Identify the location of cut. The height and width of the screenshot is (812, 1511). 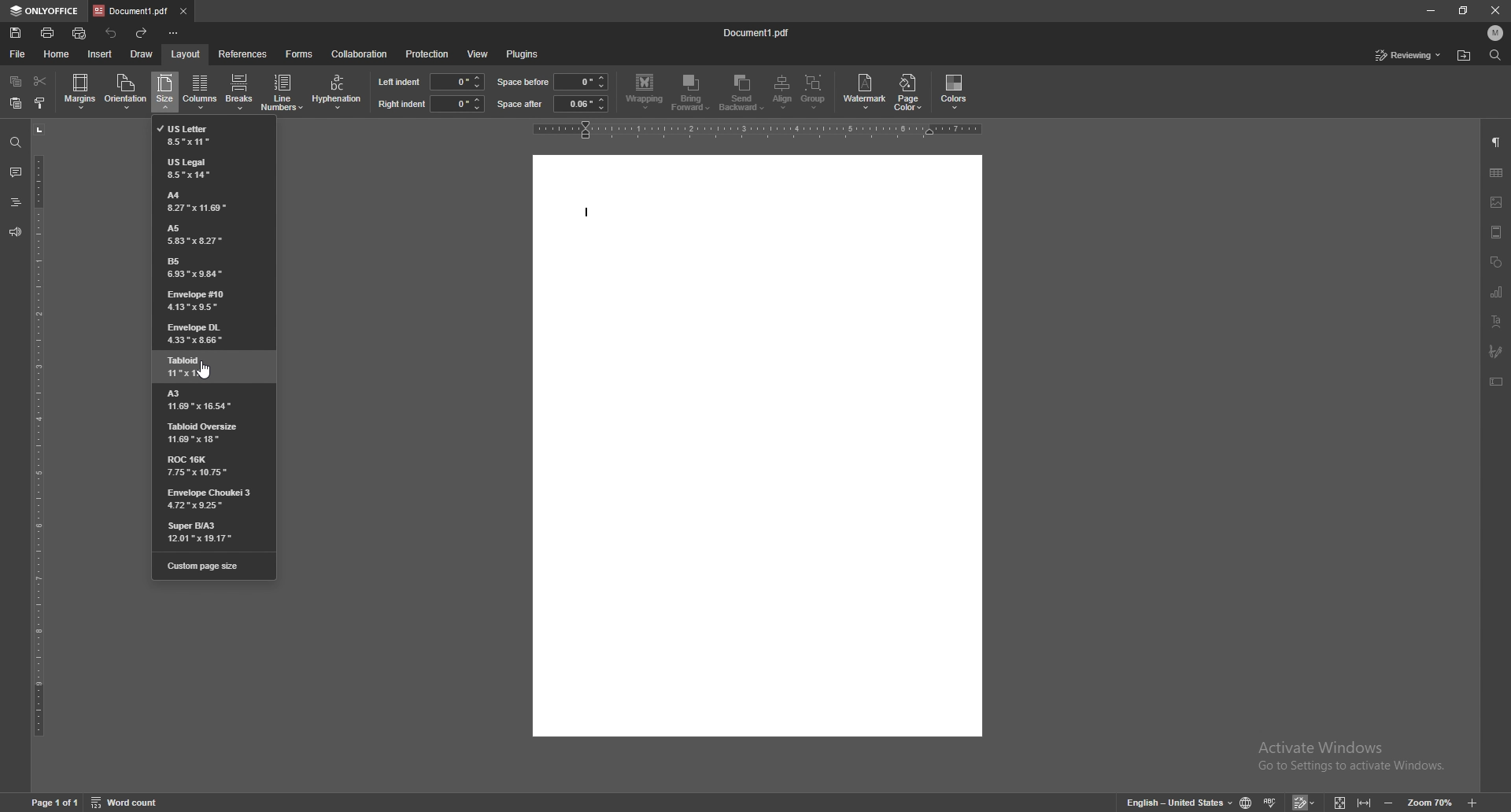
(40, 81).